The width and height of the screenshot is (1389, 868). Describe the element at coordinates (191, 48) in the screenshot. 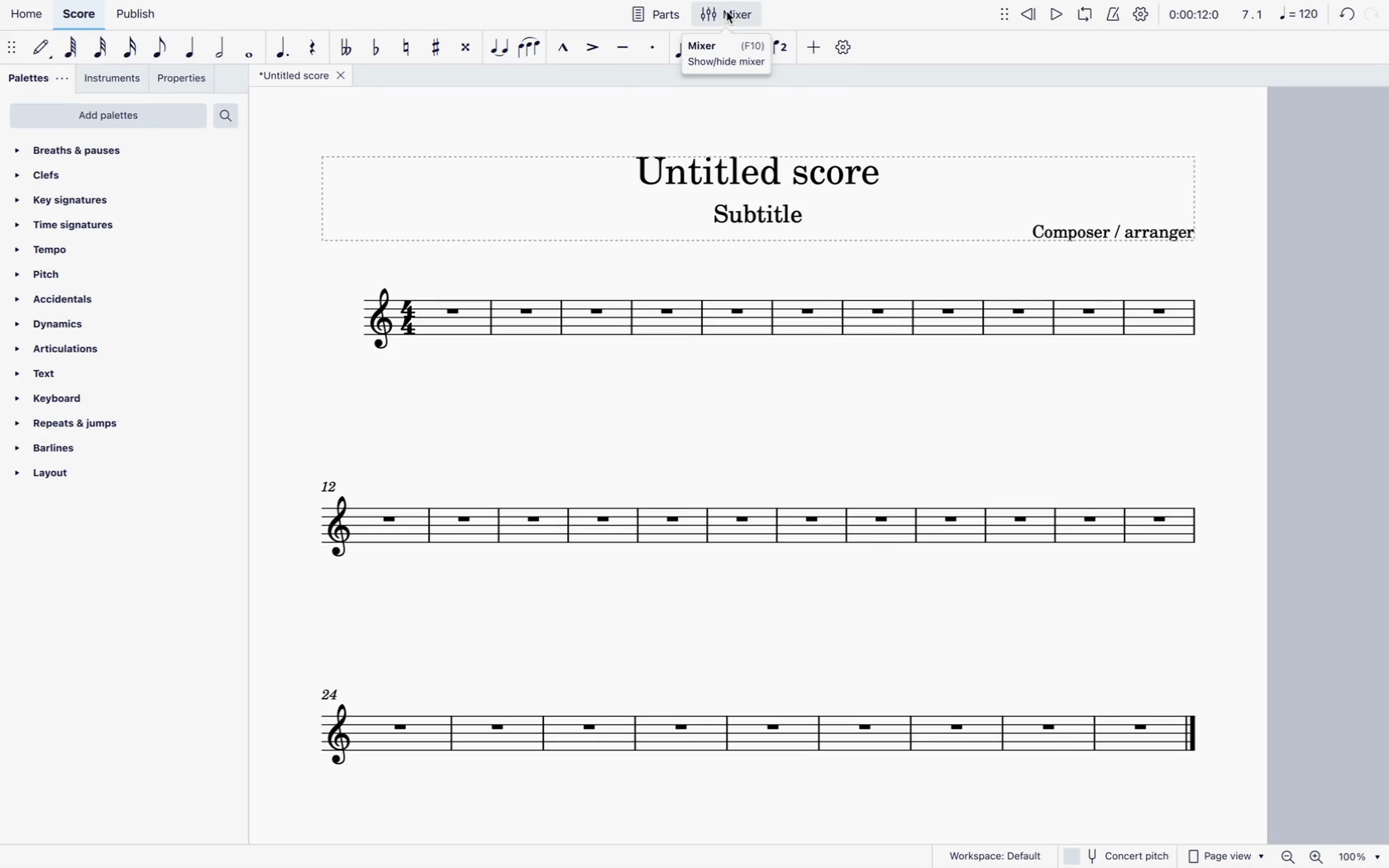

I see `quarter note` at that location.